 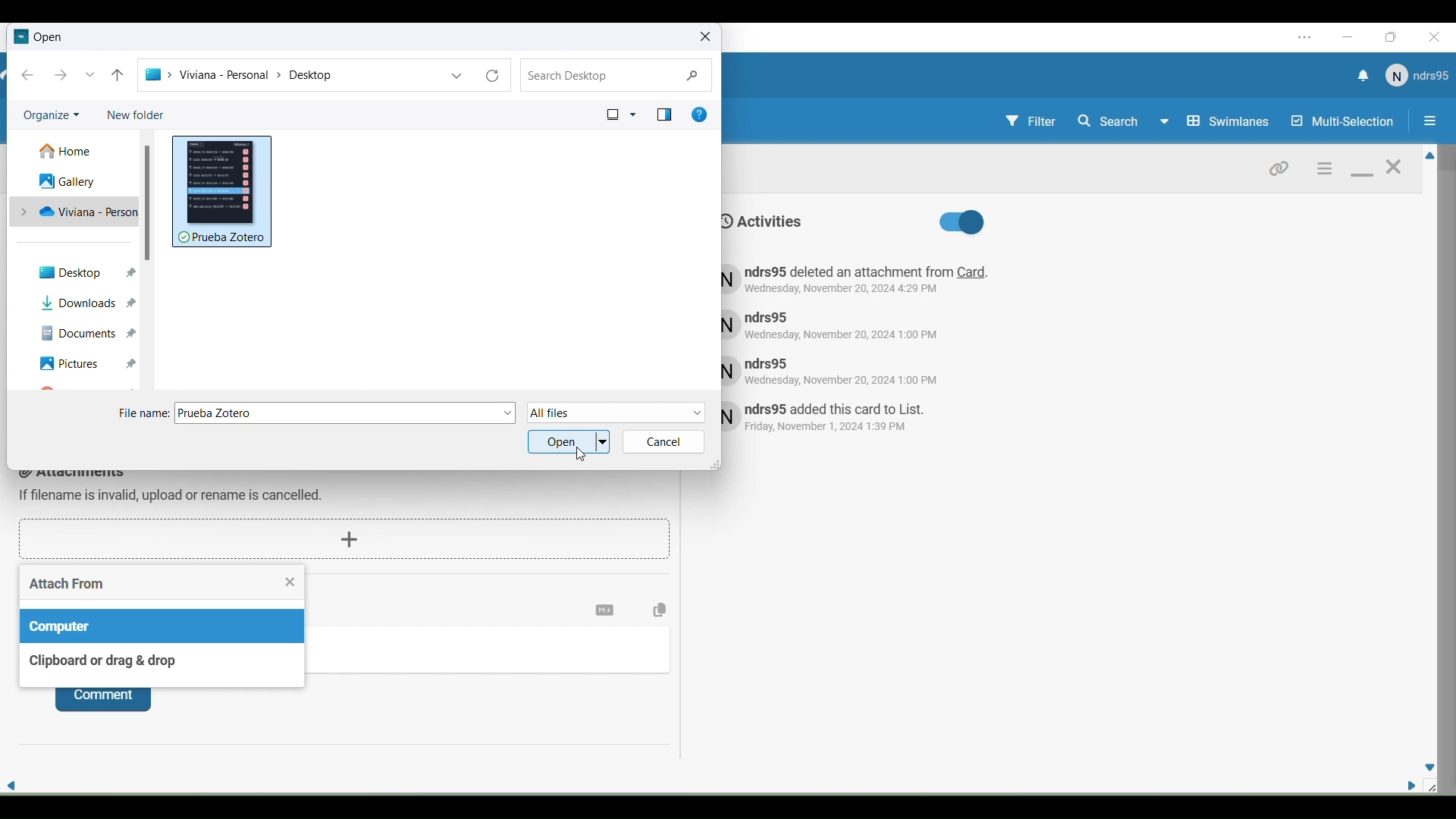 I want to click on Option, so click(x=1427, y=123).